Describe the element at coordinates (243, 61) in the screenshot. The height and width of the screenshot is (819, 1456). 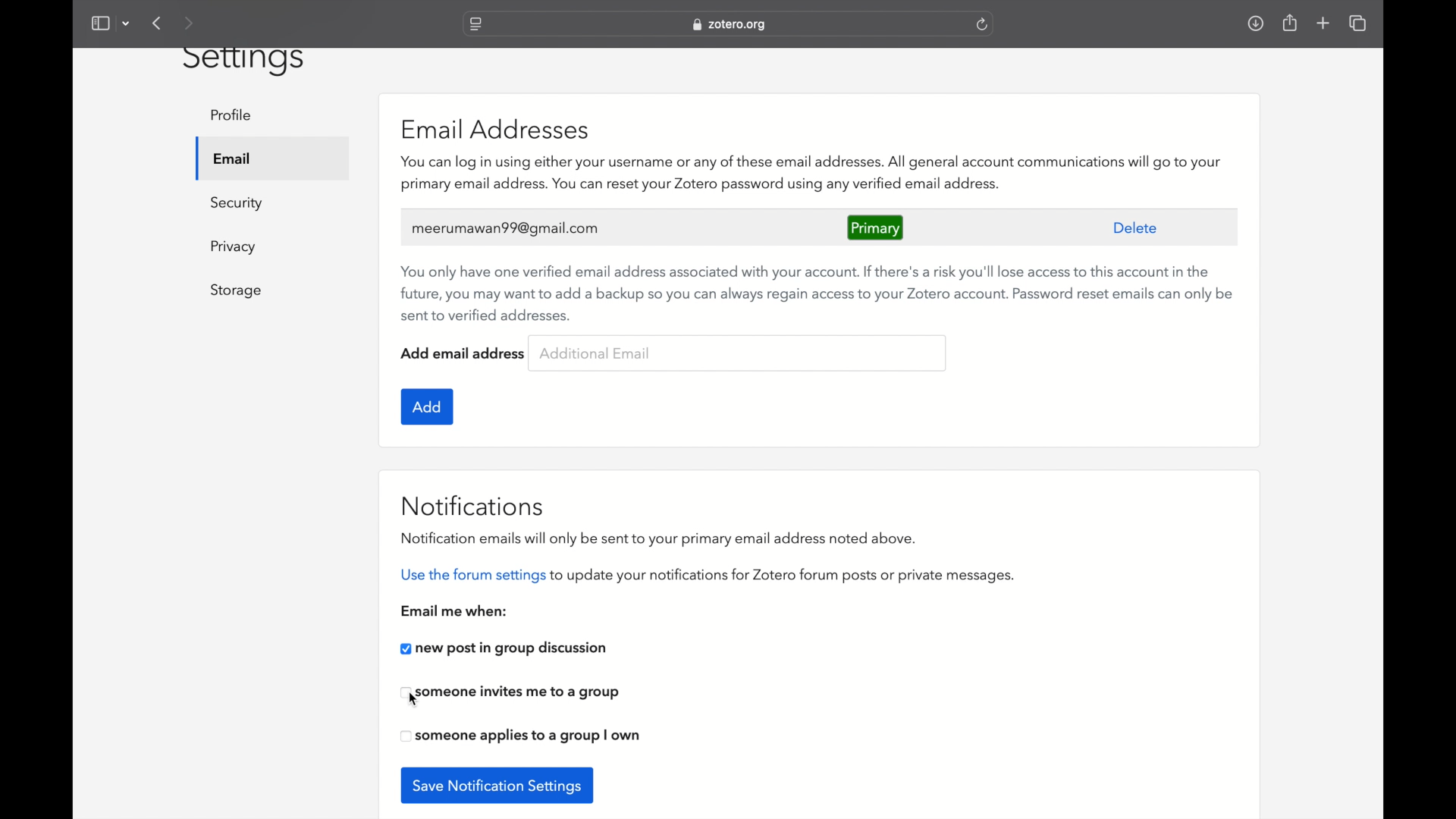
I see `settings` at that location.